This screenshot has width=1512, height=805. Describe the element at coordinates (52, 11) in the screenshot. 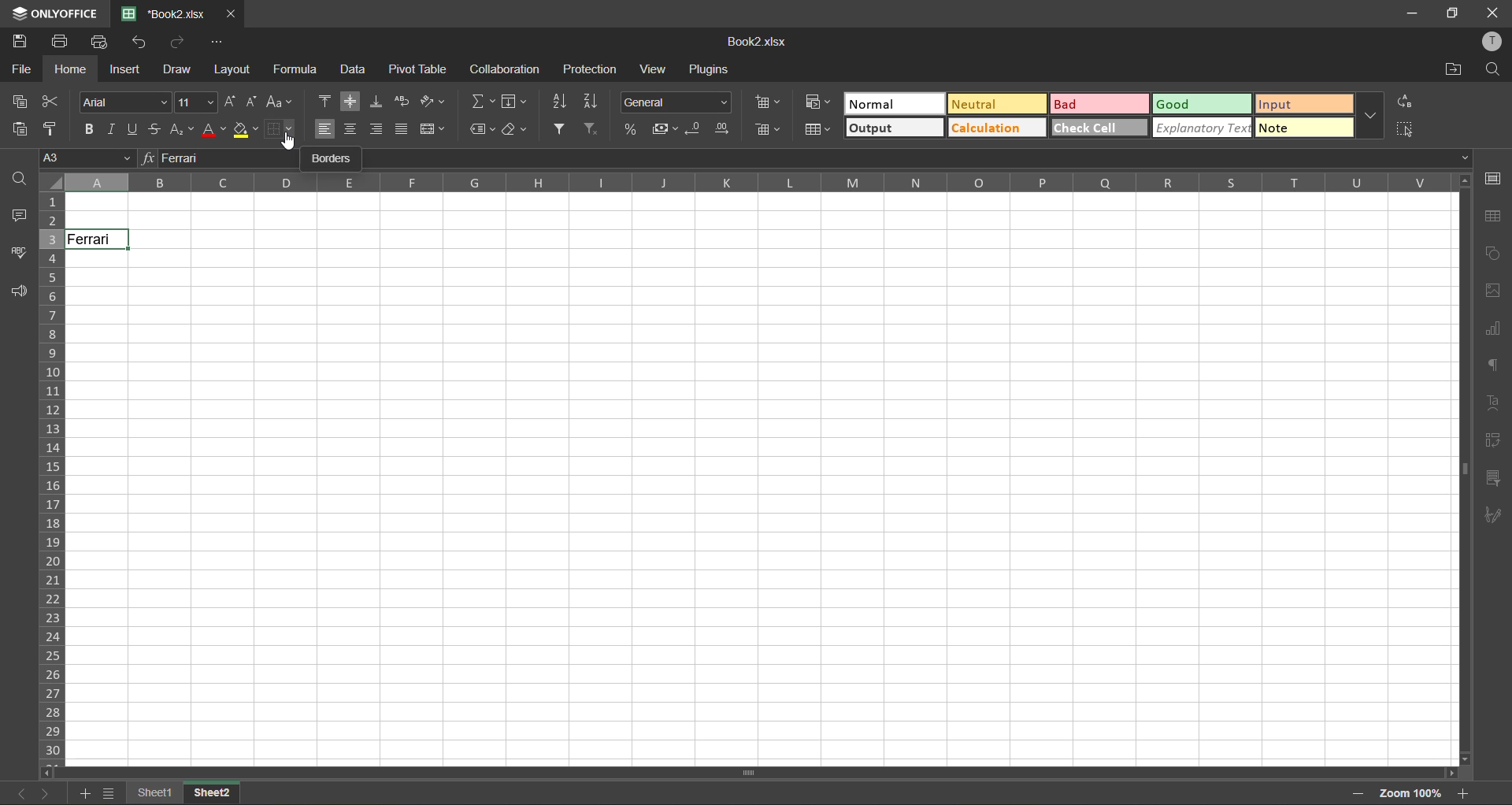

I see `ONLYOFFICE` at that location.